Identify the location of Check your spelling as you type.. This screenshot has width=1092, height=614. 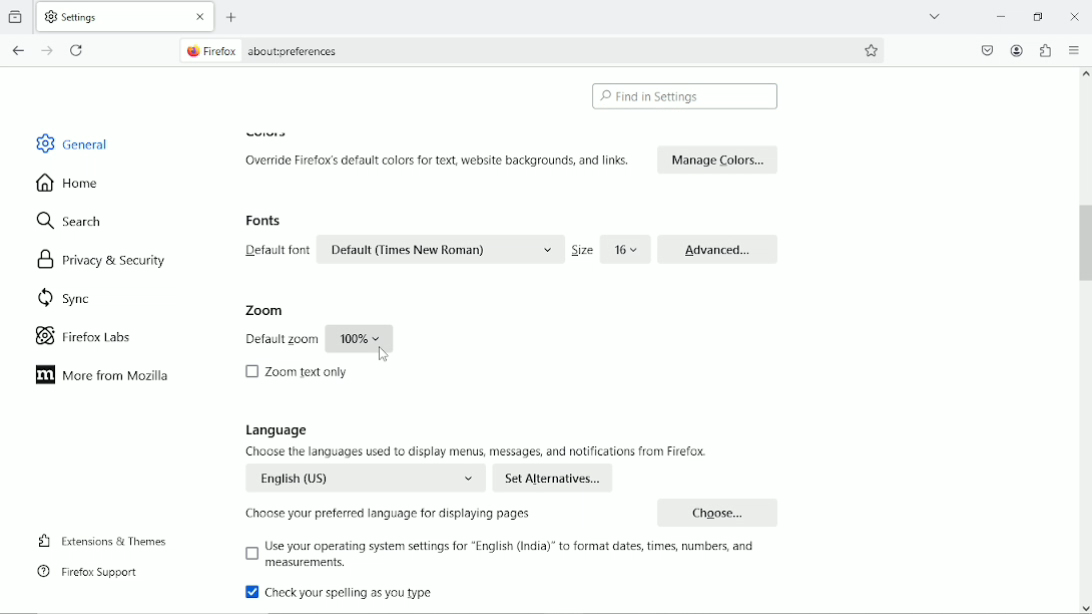
(342, 594).